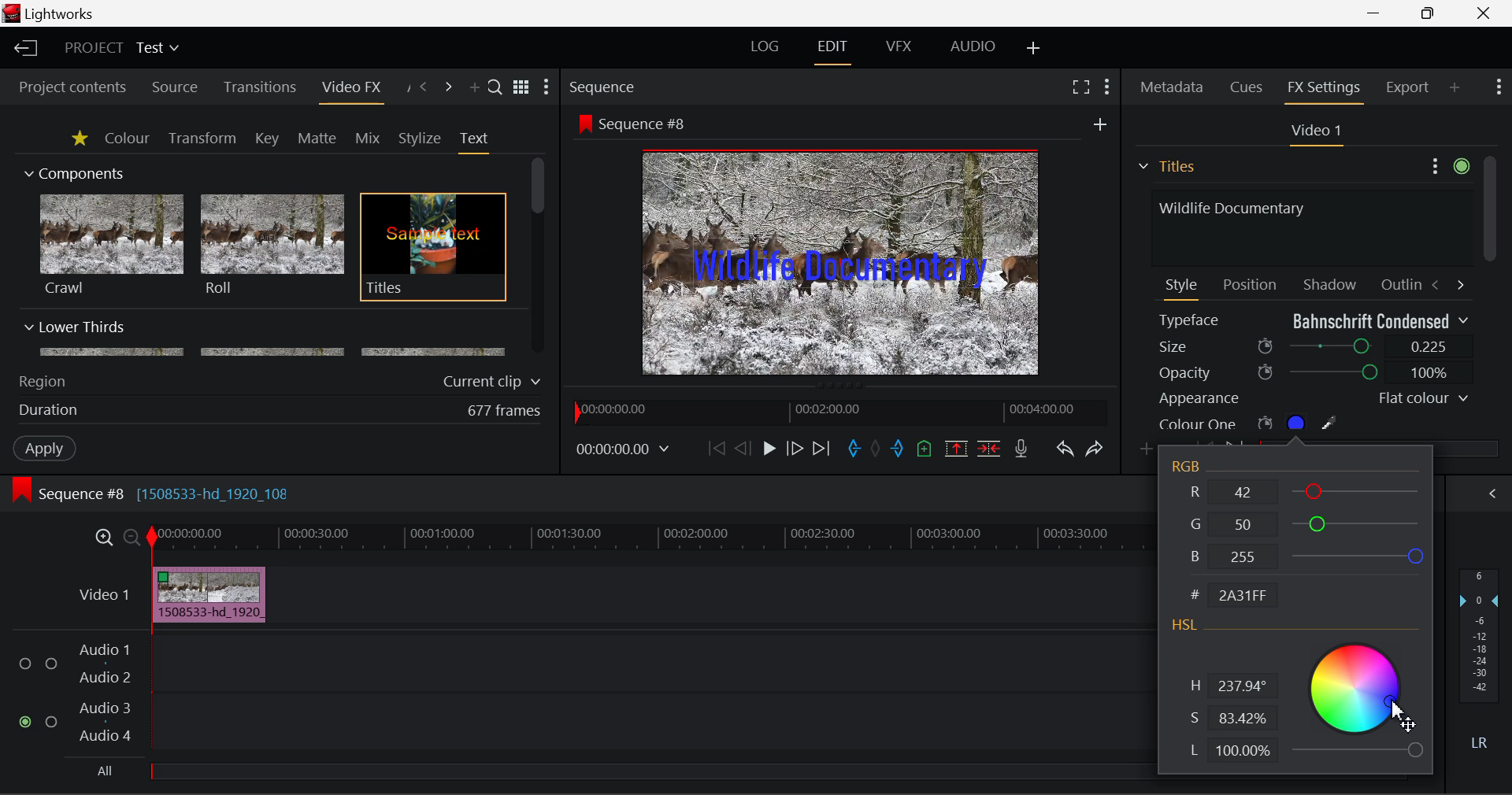 This screenshot has height=795, width=1512. What do you see at coordinates (1185, 627) in the screenshot?
I see `HSL` at bounding box center [1185, 627].